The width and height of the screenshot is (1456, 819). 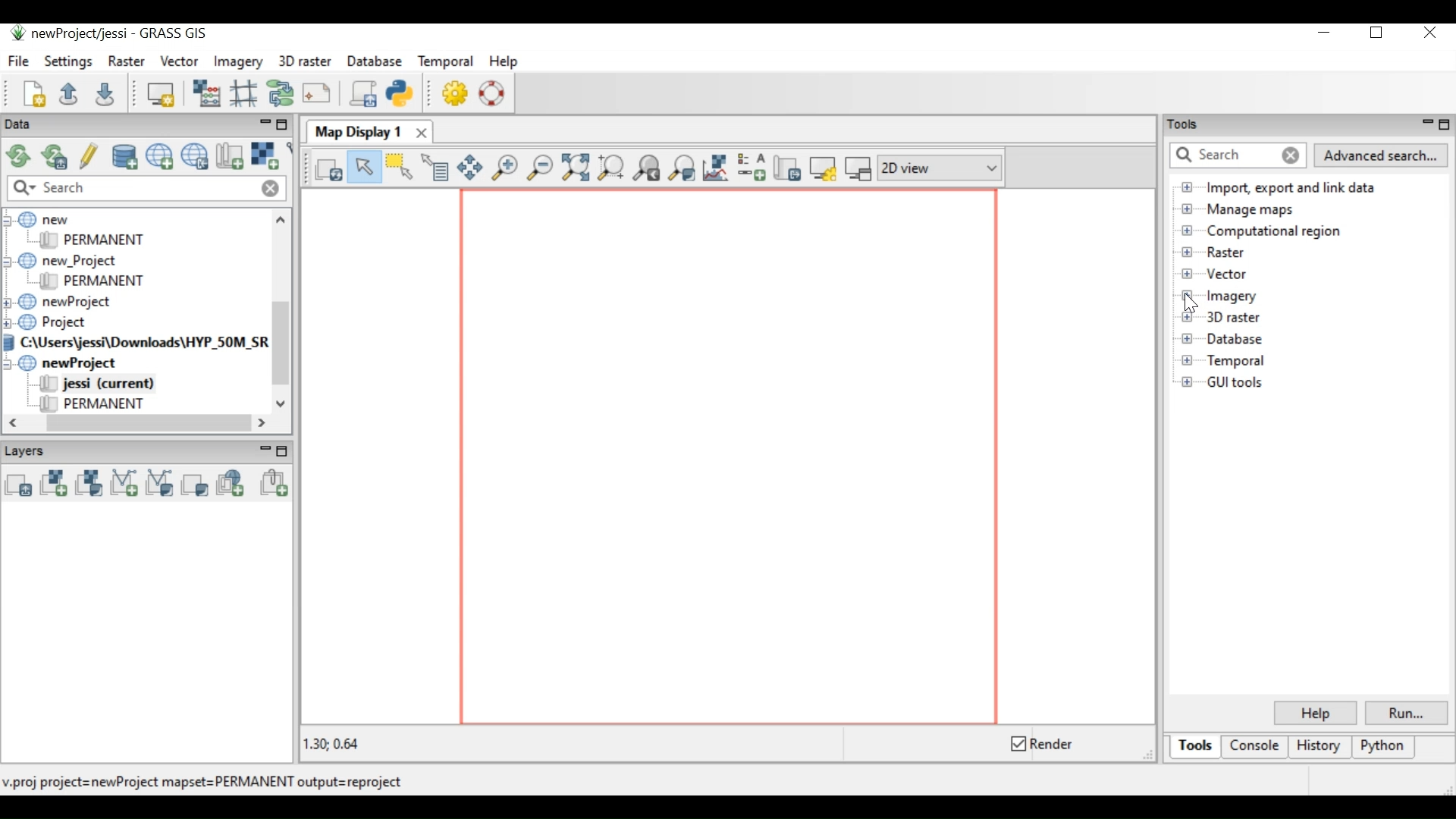 I want to click on Help, so click(x=506, y=60).